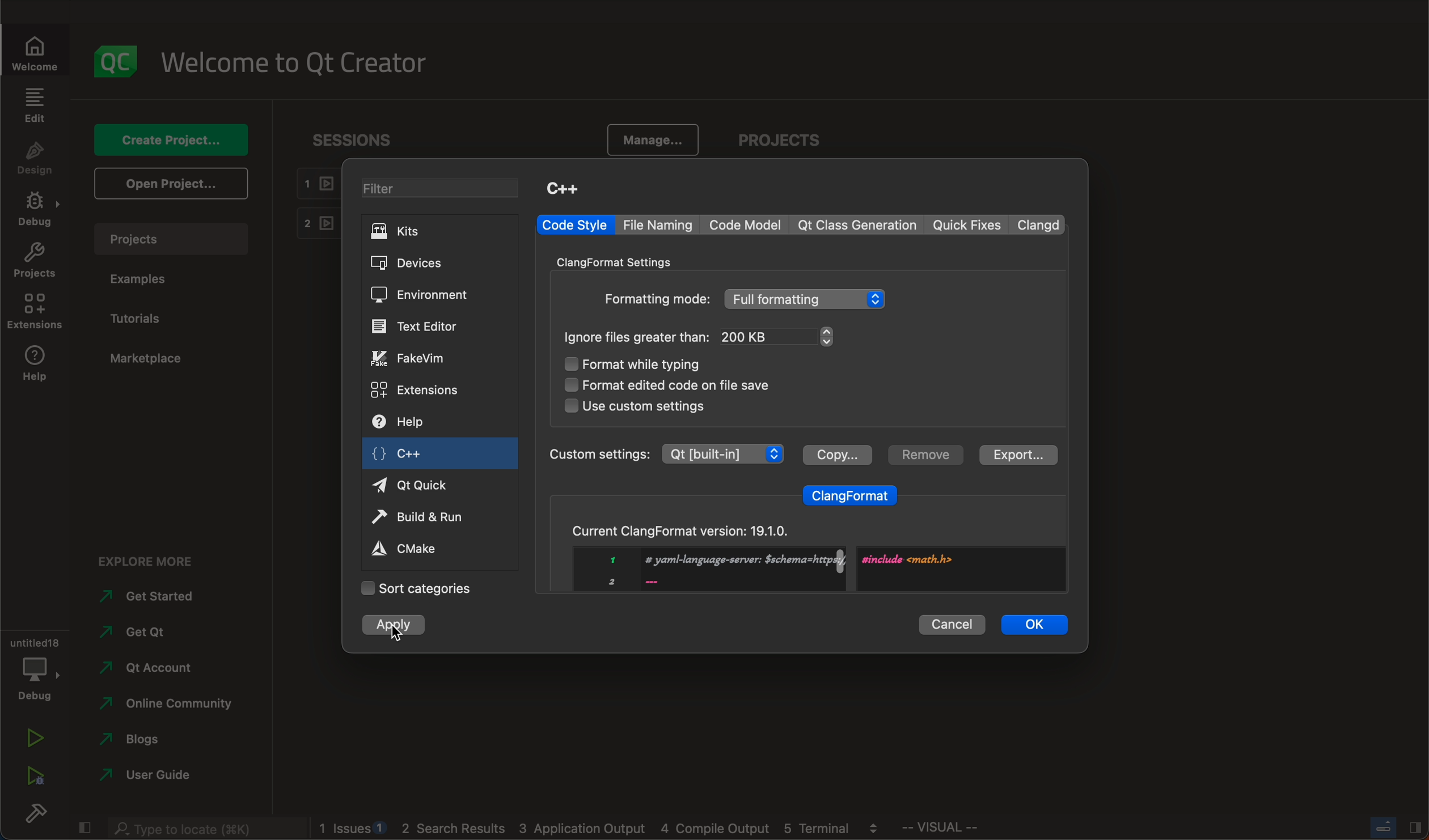  I want to click on started, so click(157, 596).